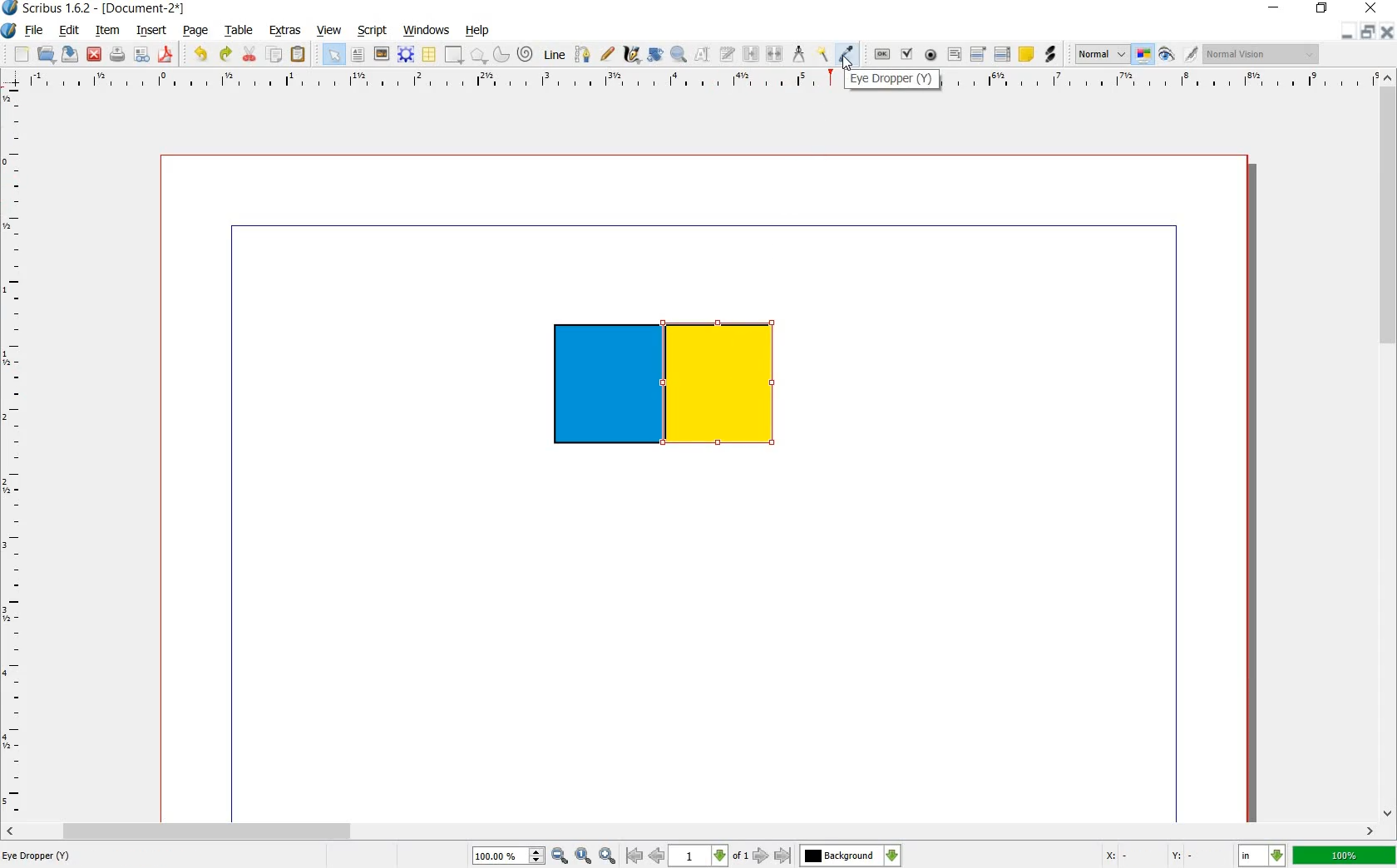 The height and width of the screenshot is (868, 1397). Describe the element at coordinates (1154, 853) in the screenshot. I see `X: - Y: -` at that location.